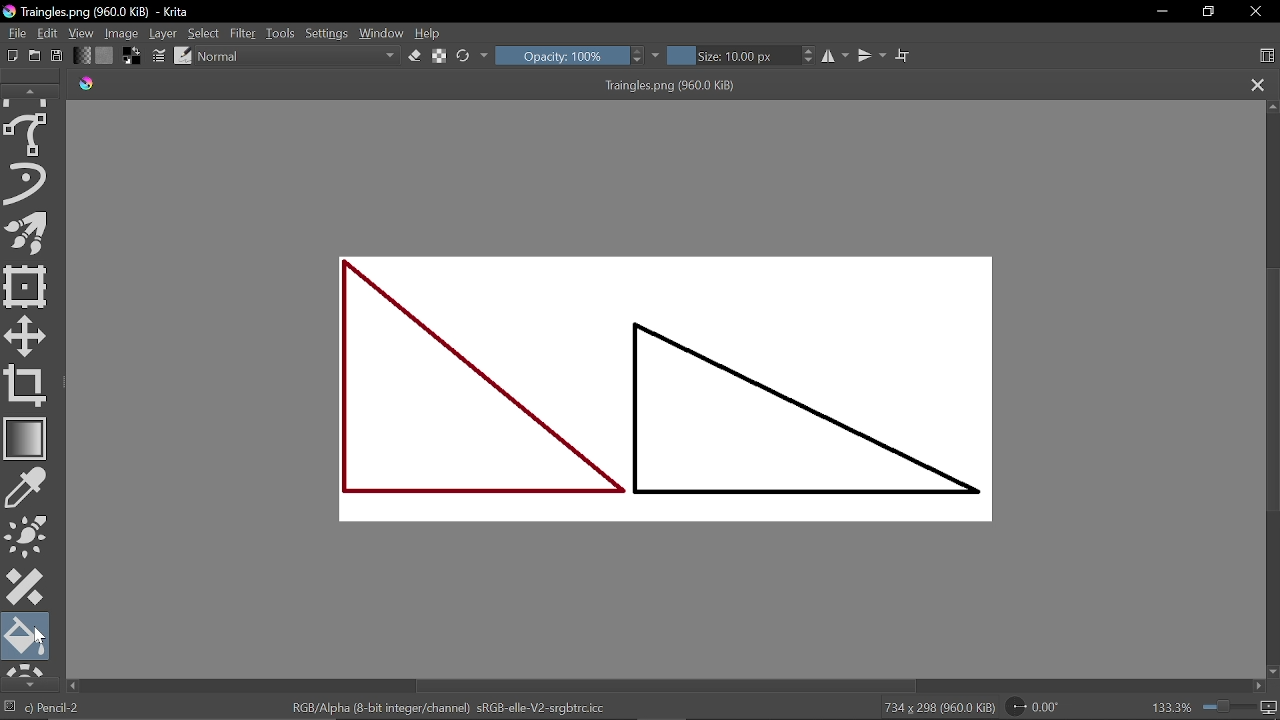 This screenshot has height=720, width=1280. What do you see at coordinates (26, 683) in the screenshot?
I see `Move down in tools` at bounding box center [26, 683].